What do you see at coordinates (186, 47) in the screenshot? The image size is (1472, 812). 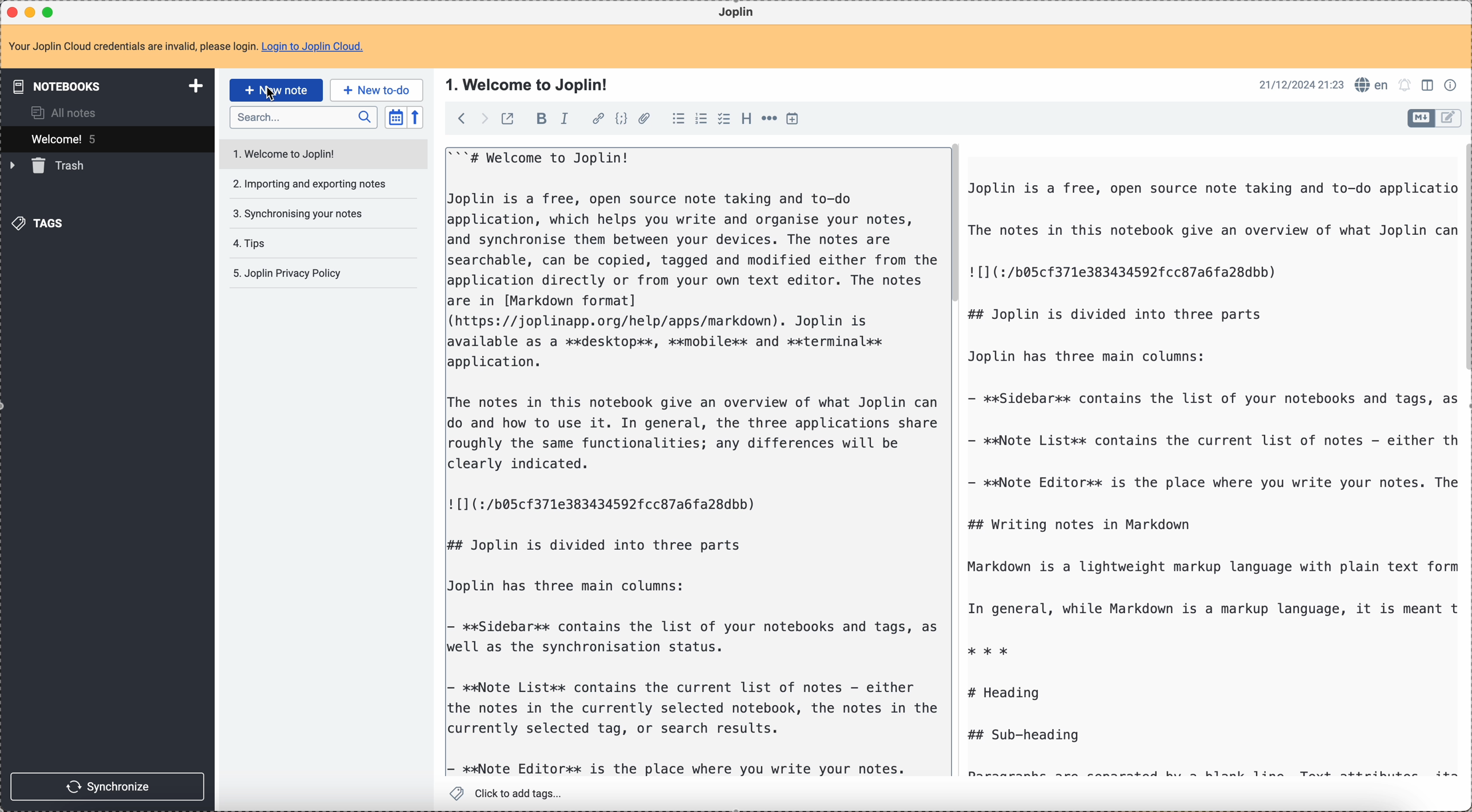 I see `note` at bounding box center [186, 47].